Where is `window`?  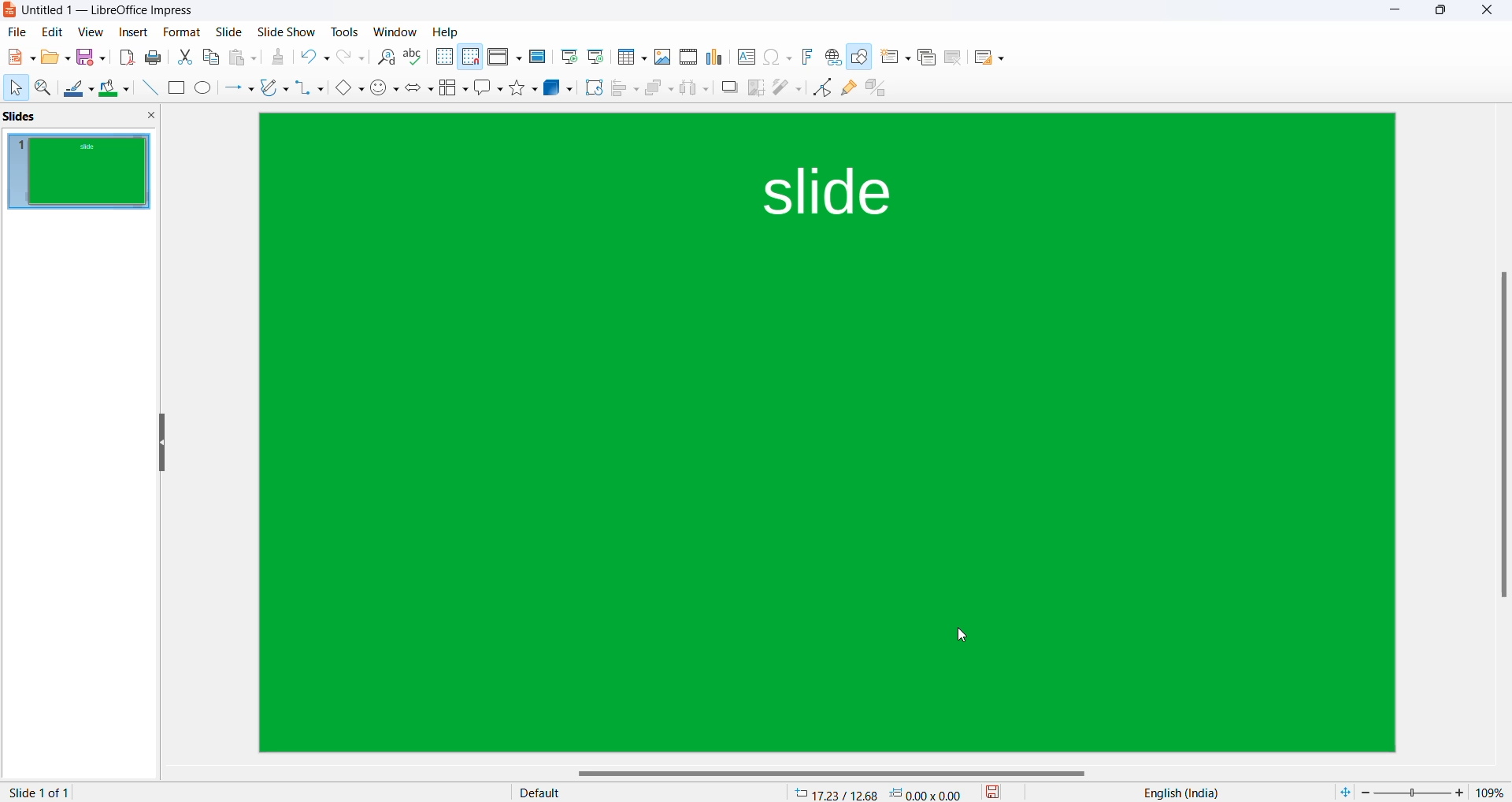 window is located at coordinates (395, 32).